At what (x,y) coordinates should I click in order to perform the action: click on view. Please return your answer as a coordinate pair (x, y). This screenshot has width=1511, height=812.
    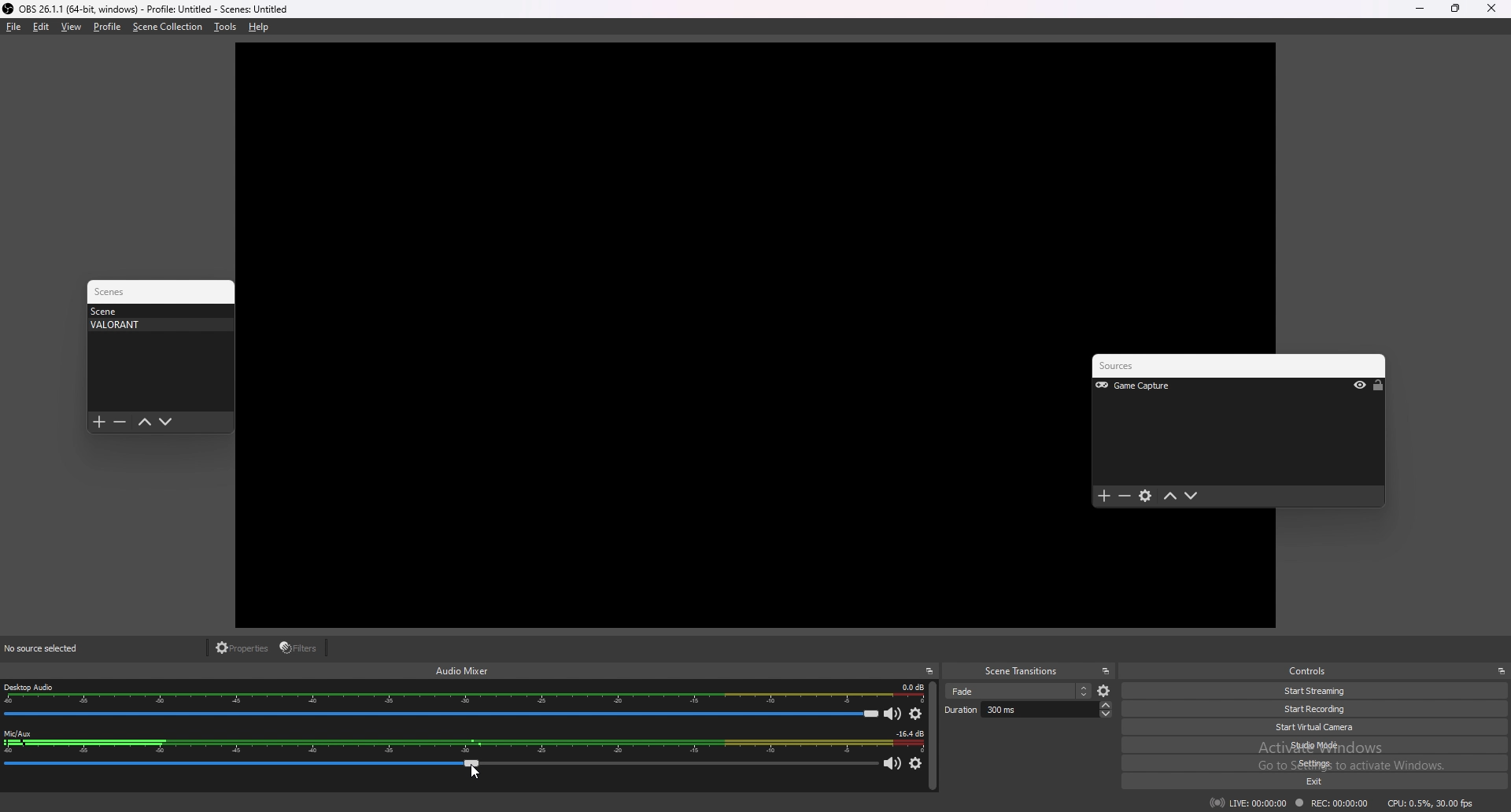
    Looking at the image, I should click on (72, 26).